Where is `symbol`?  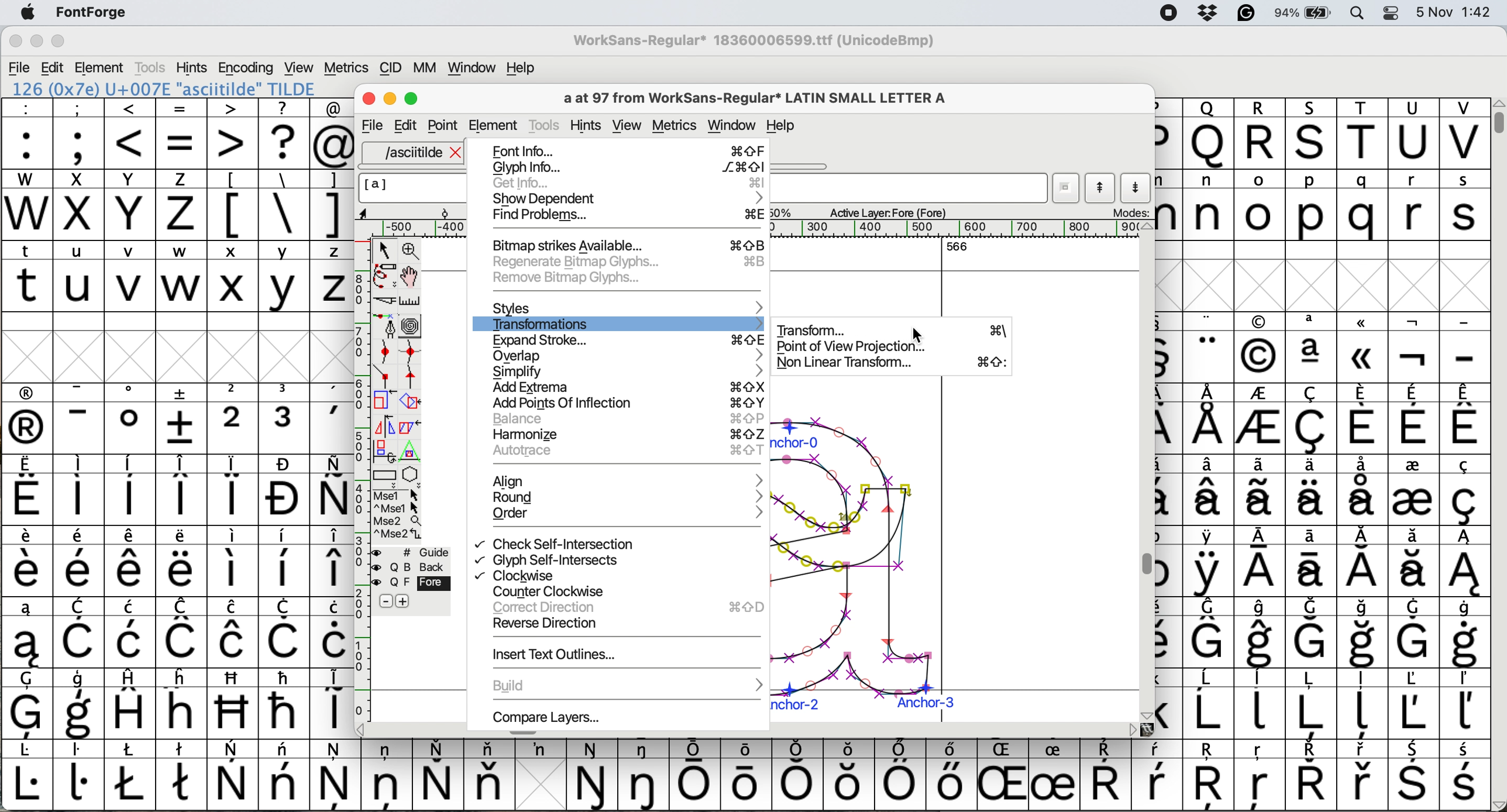
symbol is located at coordinates (80, 705).